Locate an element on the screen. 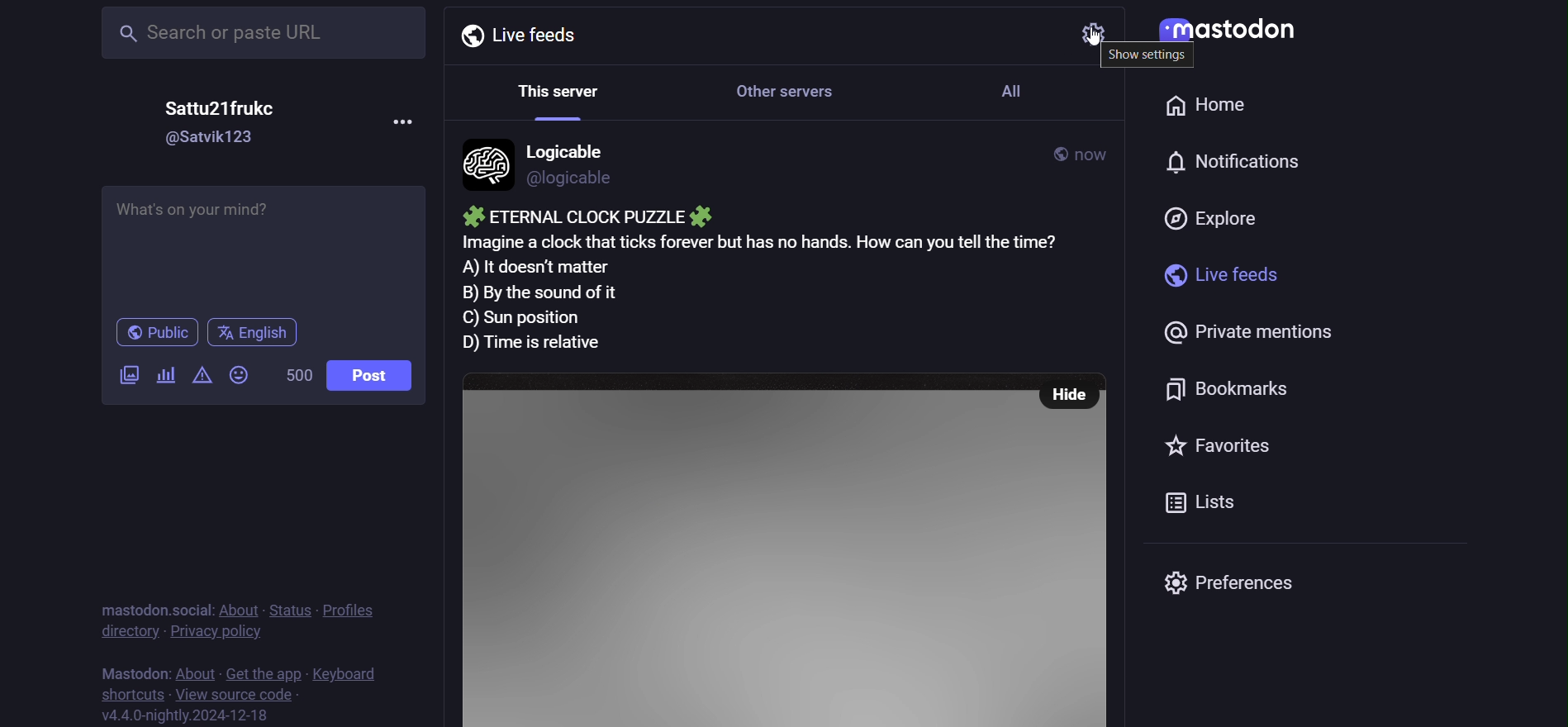 This screenshot has width=1568, height=727. image is located at coordinates (740, 550).